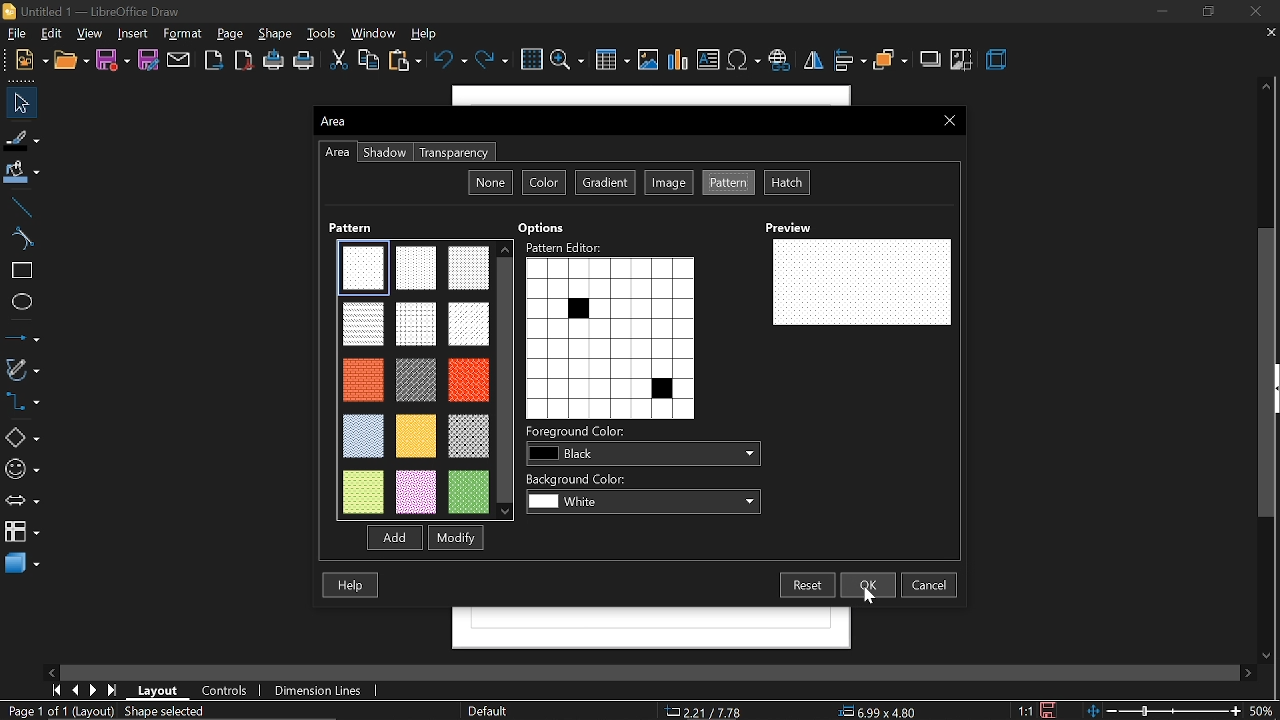 This screenshot has width=1280, height=720. I want to click on select, so click(21, 102).